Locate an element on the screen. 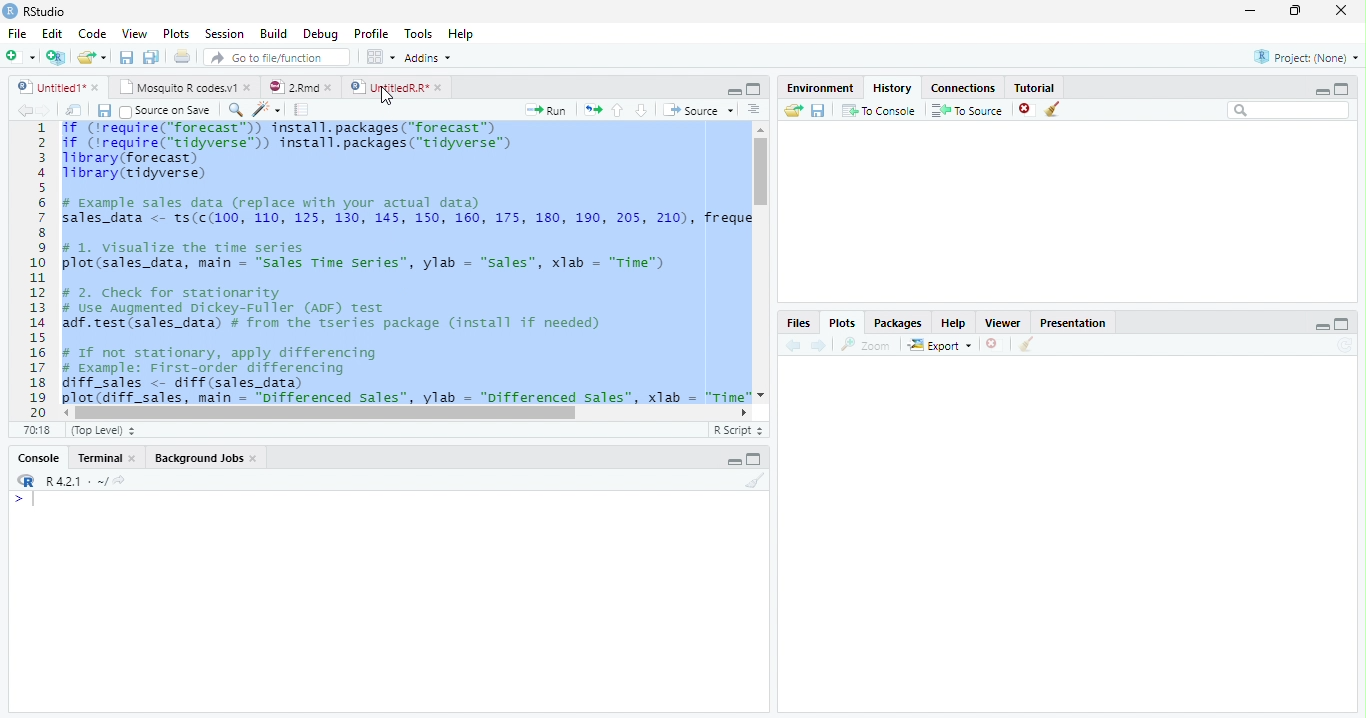  Edit is located at coordinates (53, 33).